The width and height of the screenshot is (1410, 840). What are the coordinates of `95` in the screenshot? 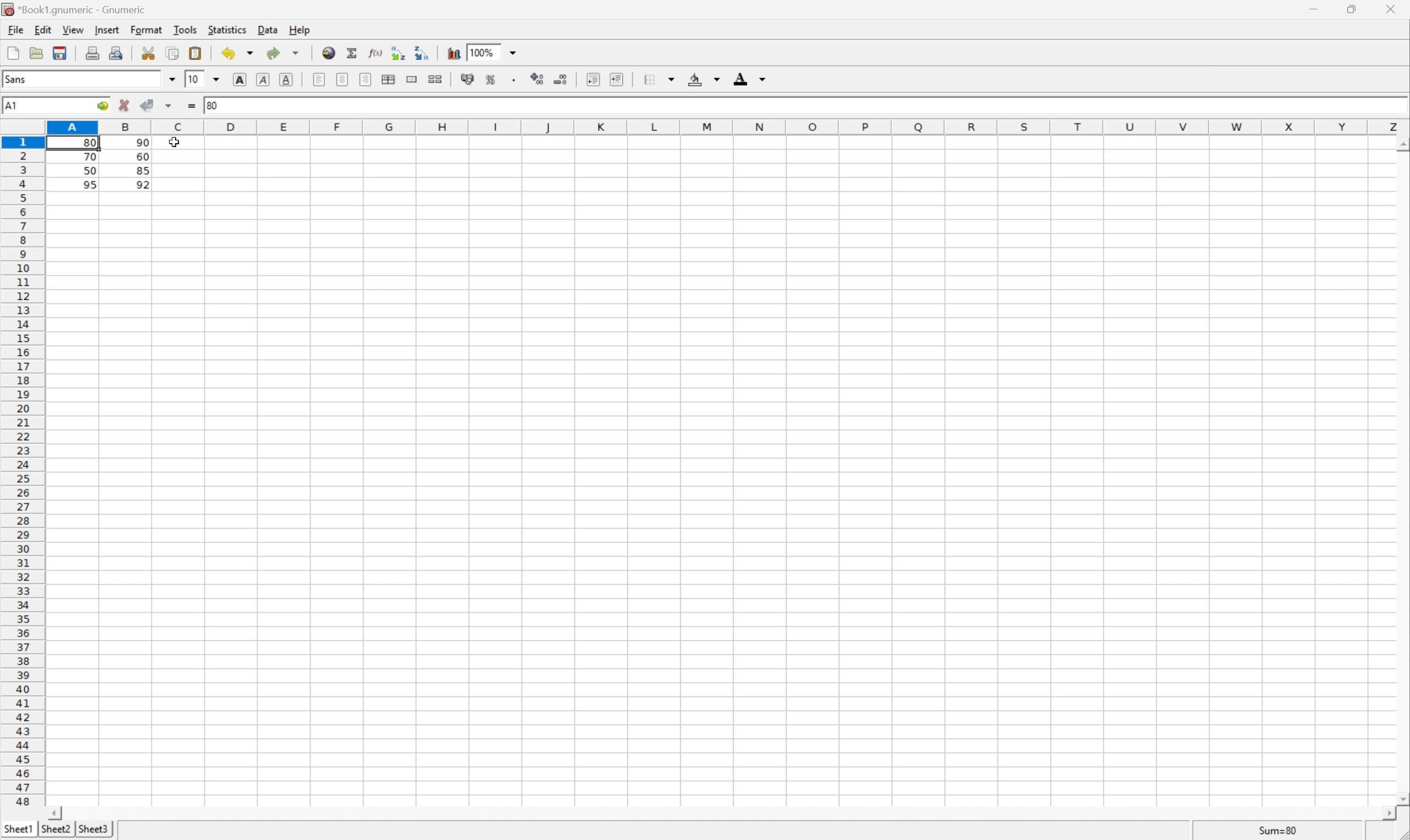 It's located at (89, 185).